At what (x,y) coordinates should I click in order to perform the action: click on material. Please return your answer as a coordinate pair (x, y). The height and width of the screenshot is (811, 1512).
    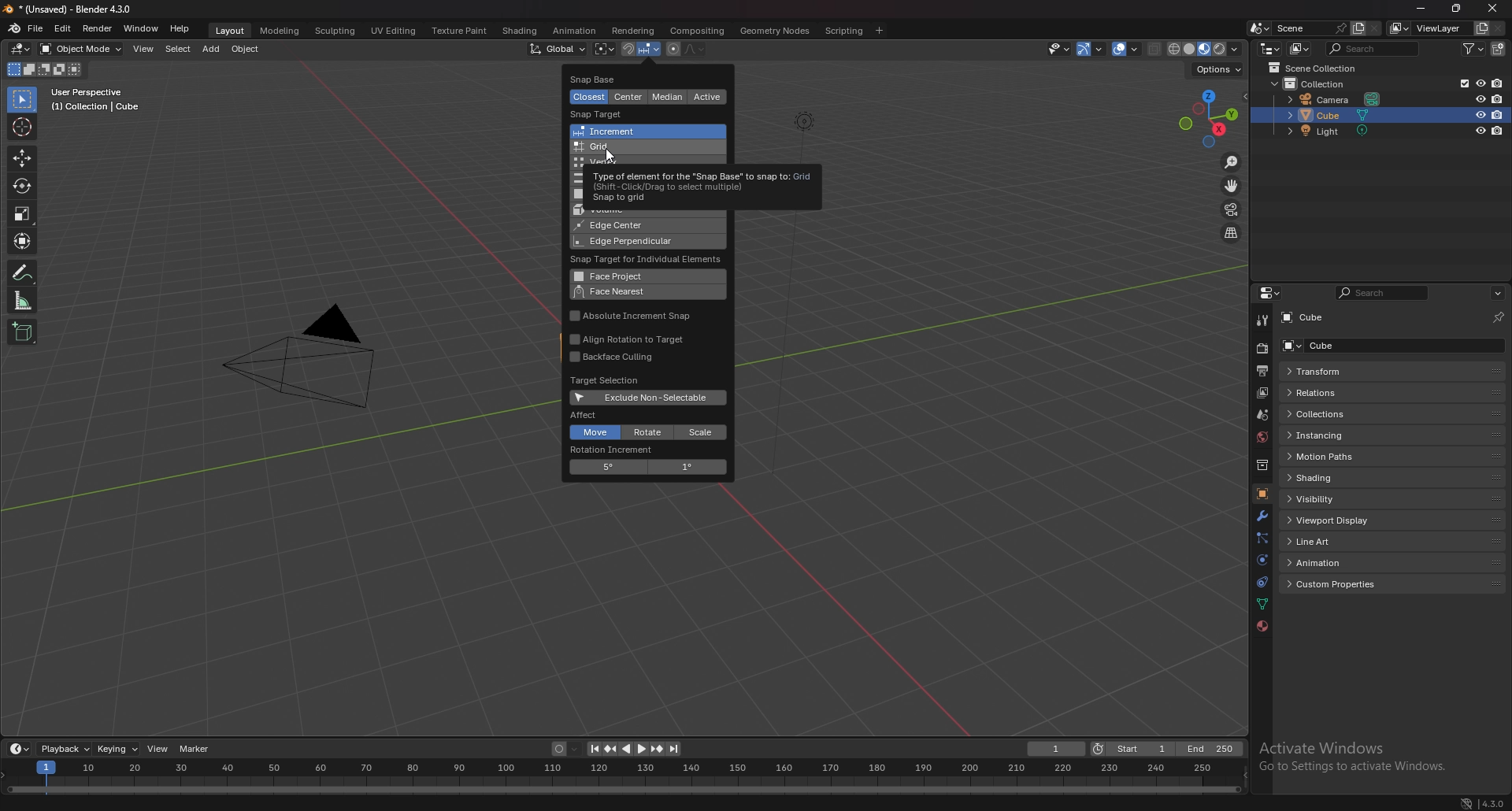
    Looking at the image, I should click on (1262, 627).